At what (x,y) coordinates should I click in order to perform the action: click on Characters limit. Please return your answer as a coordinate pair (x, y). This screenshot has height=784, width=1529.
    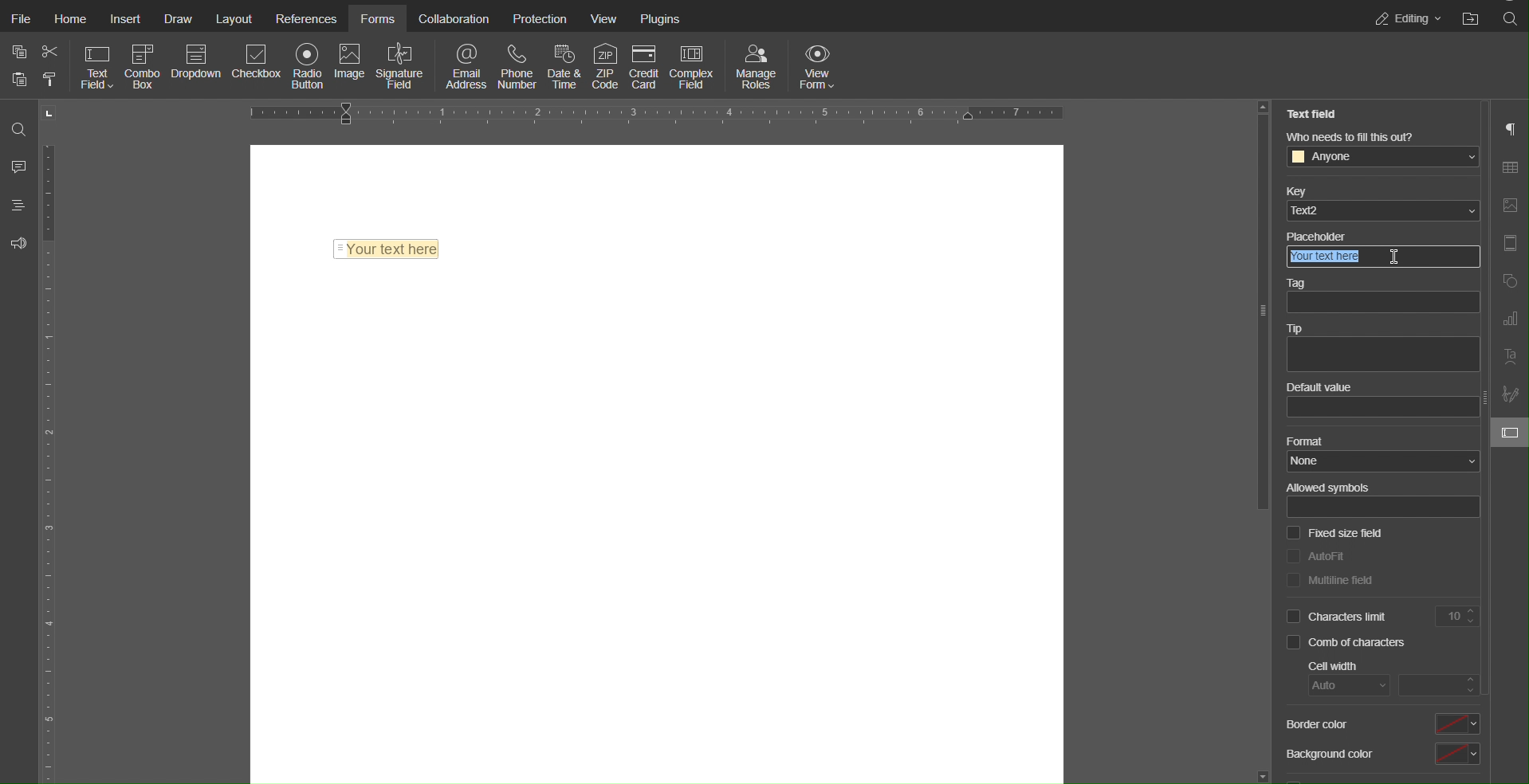
    Looking at the image, I should click on (1339, 616).